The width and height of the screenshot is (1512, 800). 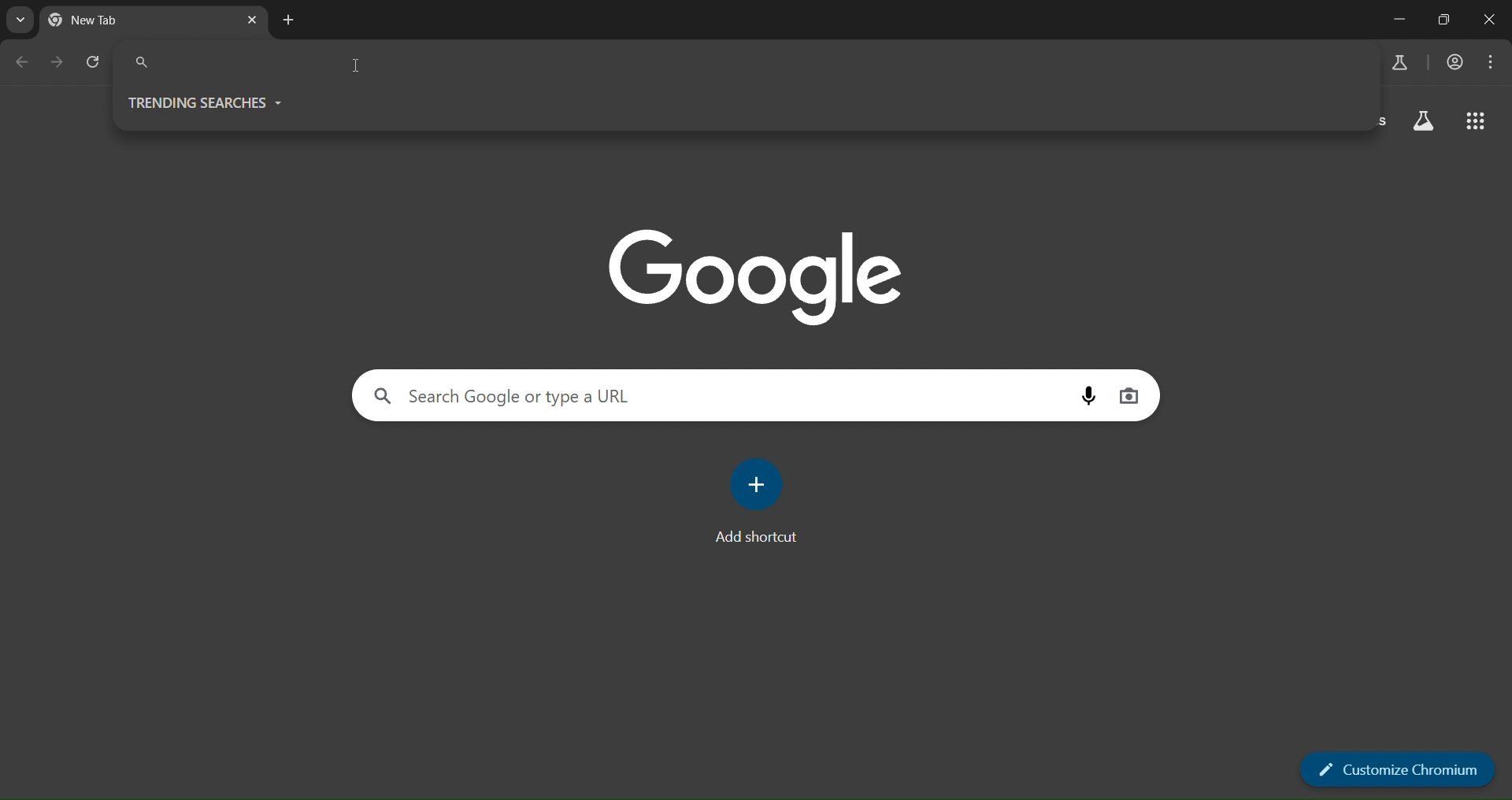 What do you see at coordinates (251, 20) in the screenshot?
I see `close tab` at bounding box center [251, 20].